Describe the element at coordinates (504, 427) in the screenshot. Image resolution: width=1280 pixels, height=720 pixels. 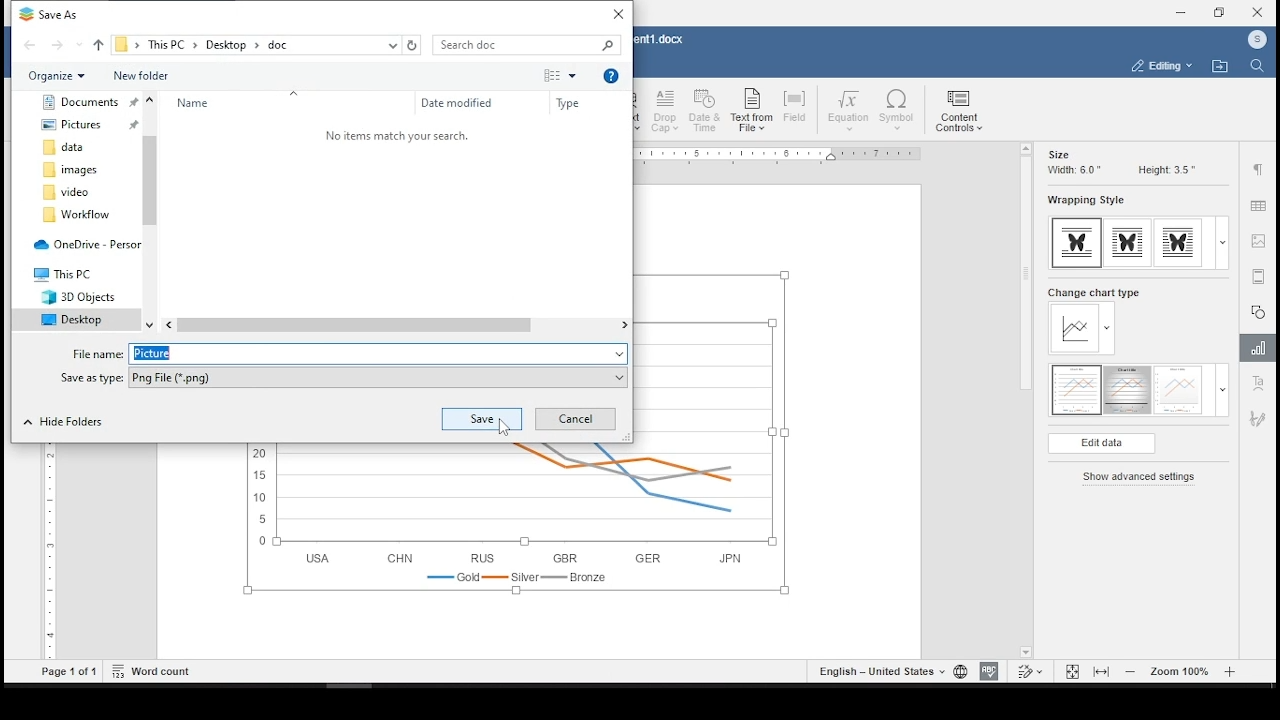
I see `cursor` at that location.